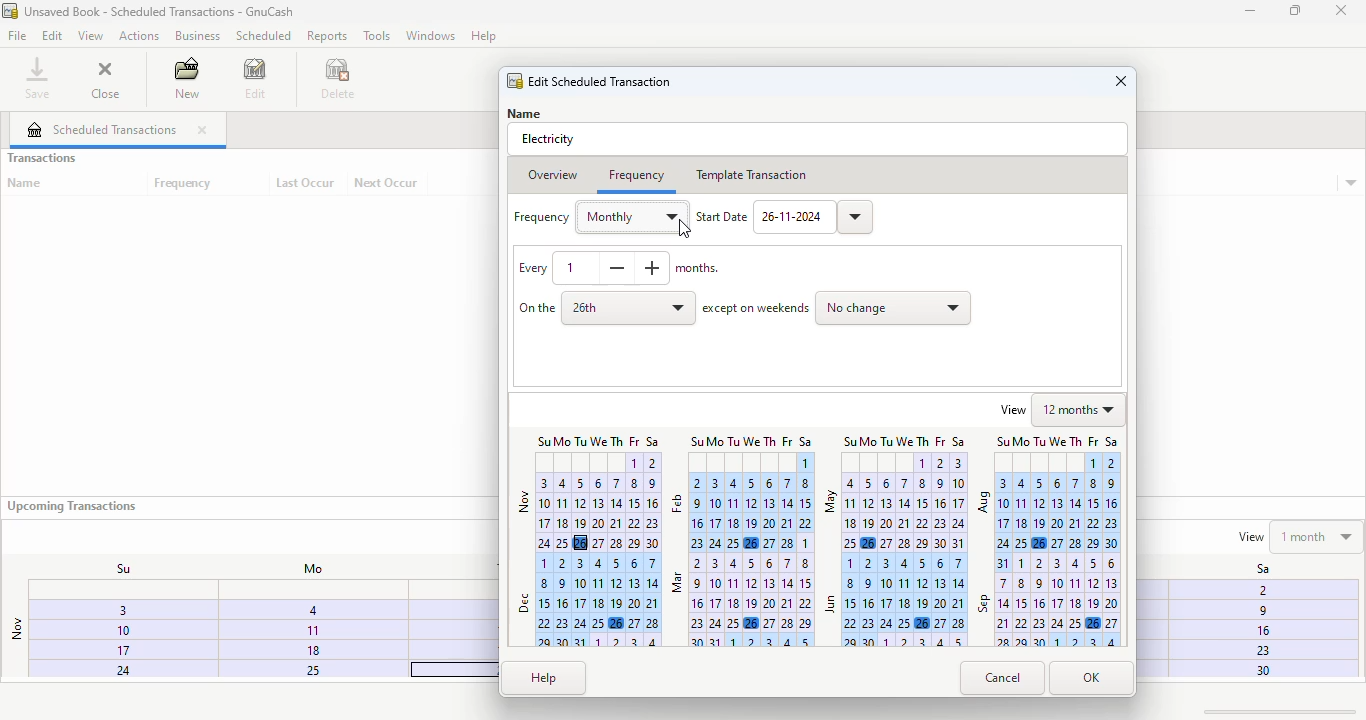 The width and height of the screenshot is (1366, 720). I want to click on view, so click(1013, 409).